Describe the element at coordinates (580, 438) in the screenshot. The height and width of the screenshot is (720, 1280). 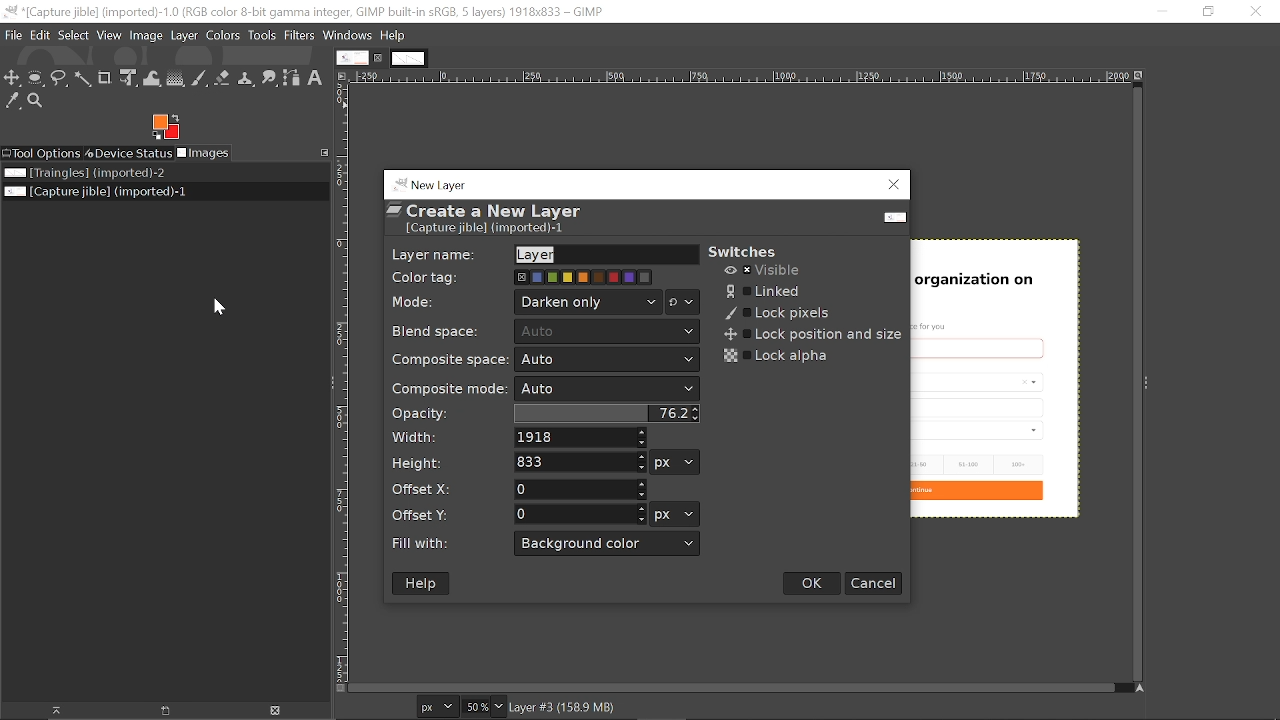
I see `Width` at that location.